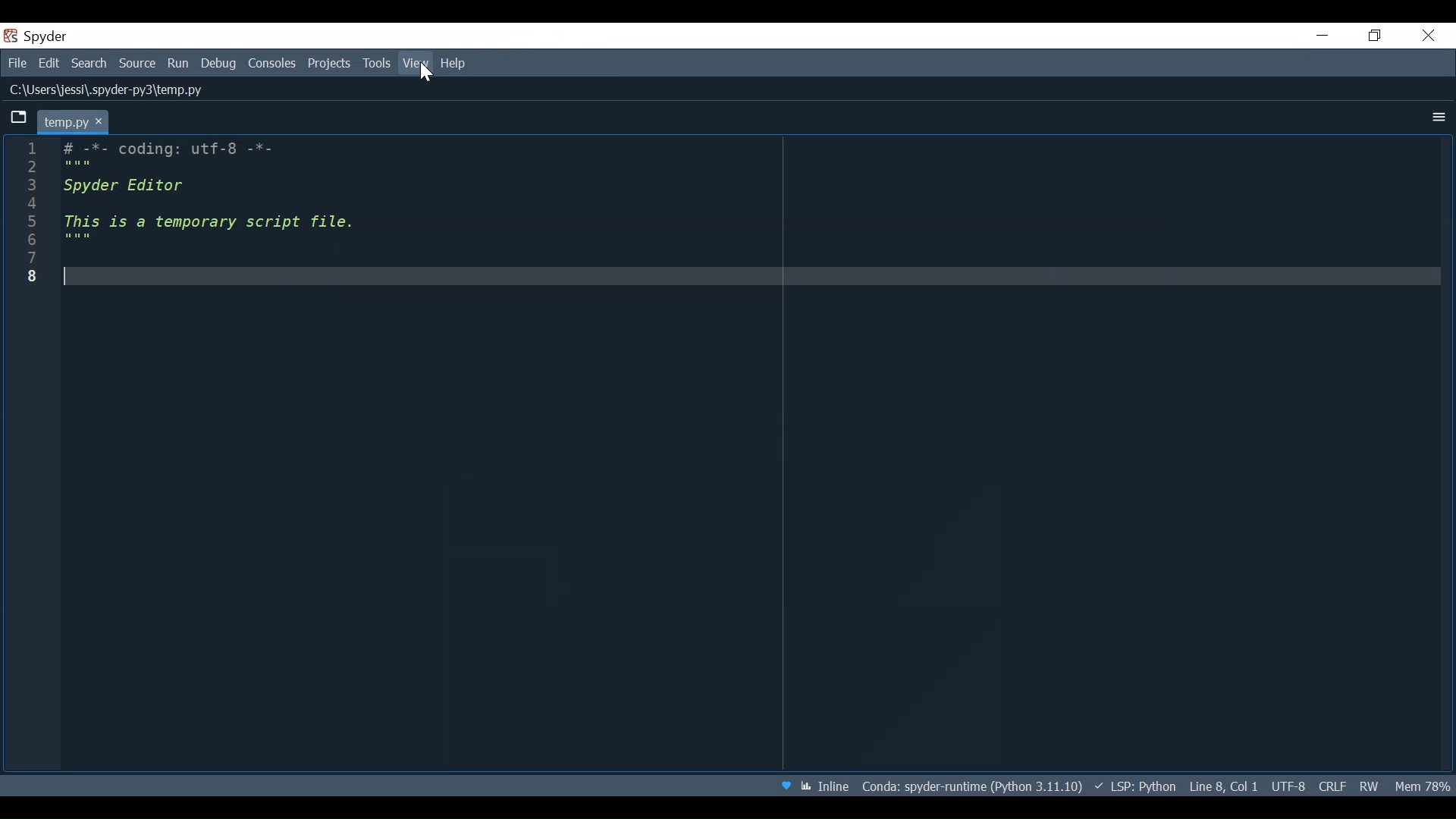  What do you see at coordinates (1427, 36) in the screenshot?
I see `Close` at bounding box center [1427, 36].